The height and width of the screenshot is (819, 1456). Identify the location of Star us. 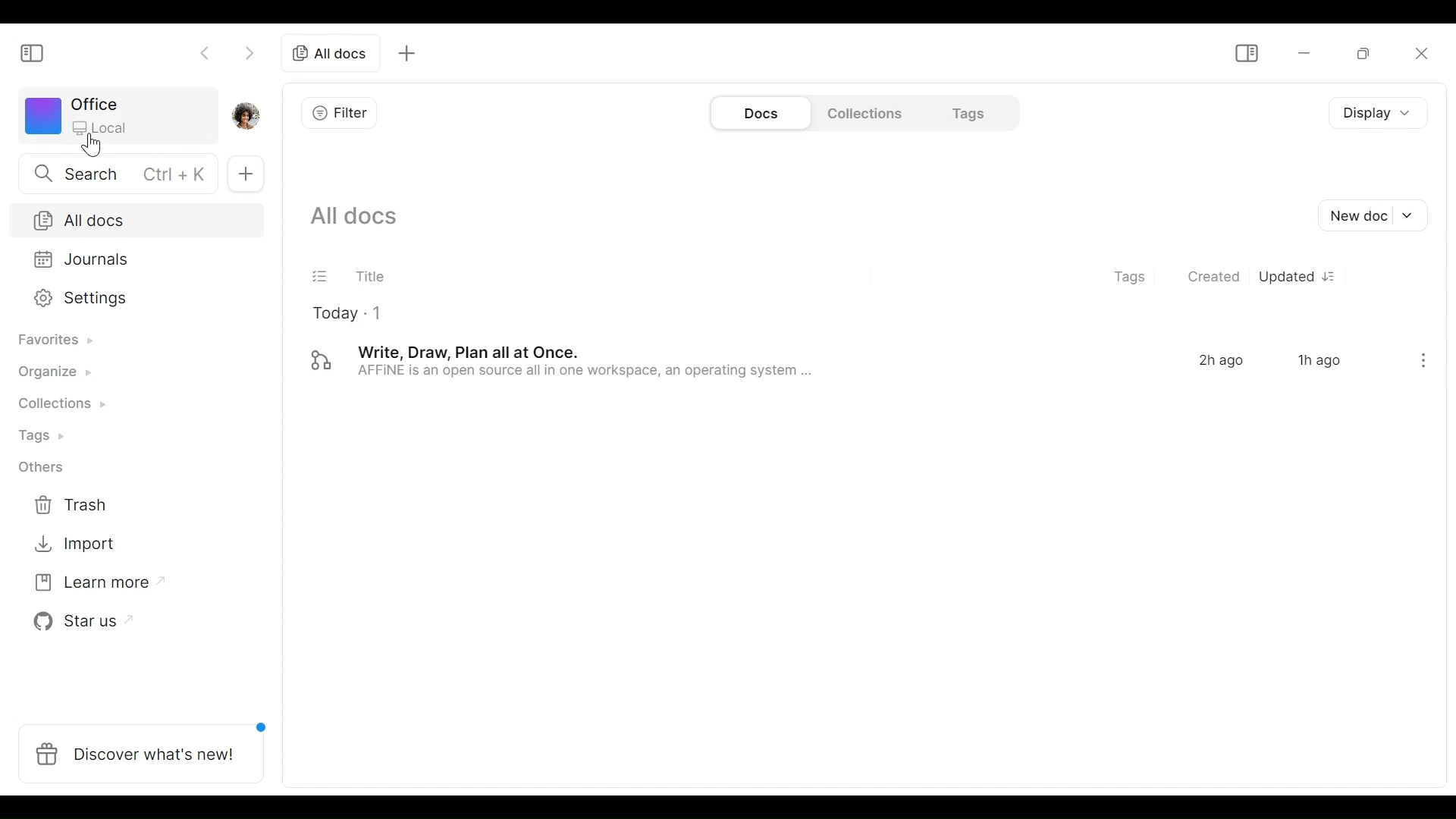
(75, 621).